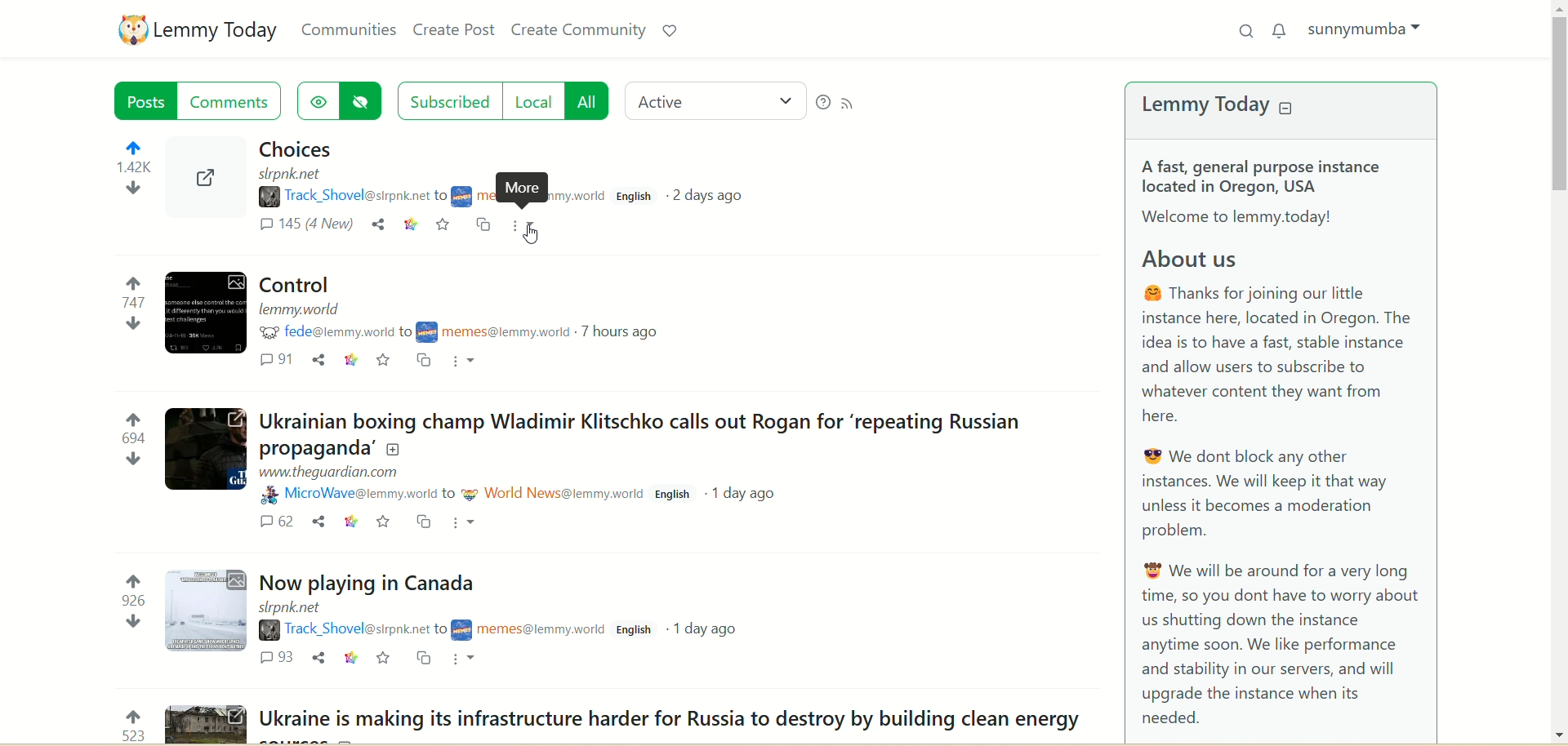  Describe the element at coordinates (716, 199) in the screenshot. I see `2 days ago(post date)` at that location.